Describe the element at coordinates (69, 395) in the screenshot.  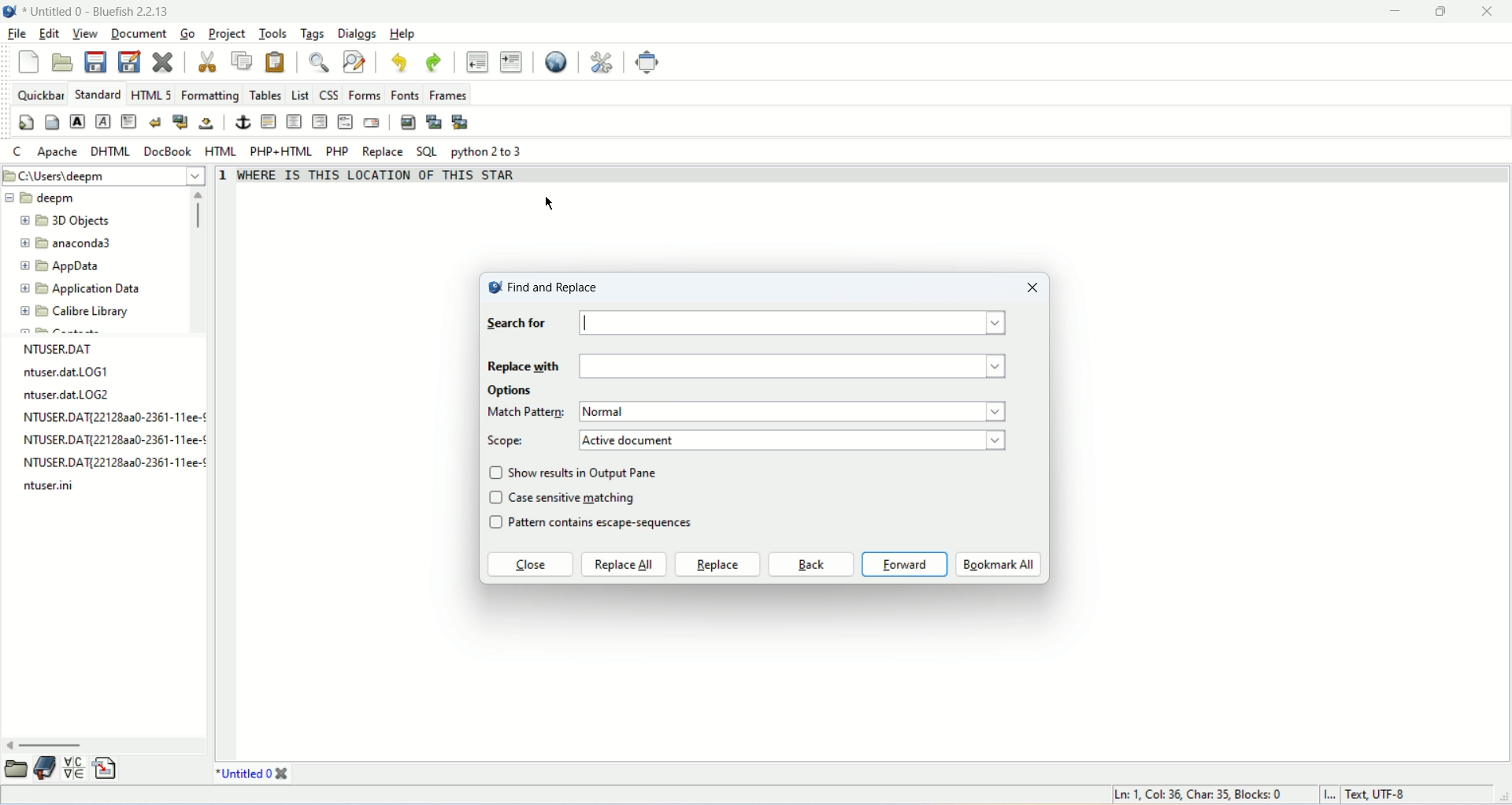
I see `ntuser.dat LOG2` at that location.